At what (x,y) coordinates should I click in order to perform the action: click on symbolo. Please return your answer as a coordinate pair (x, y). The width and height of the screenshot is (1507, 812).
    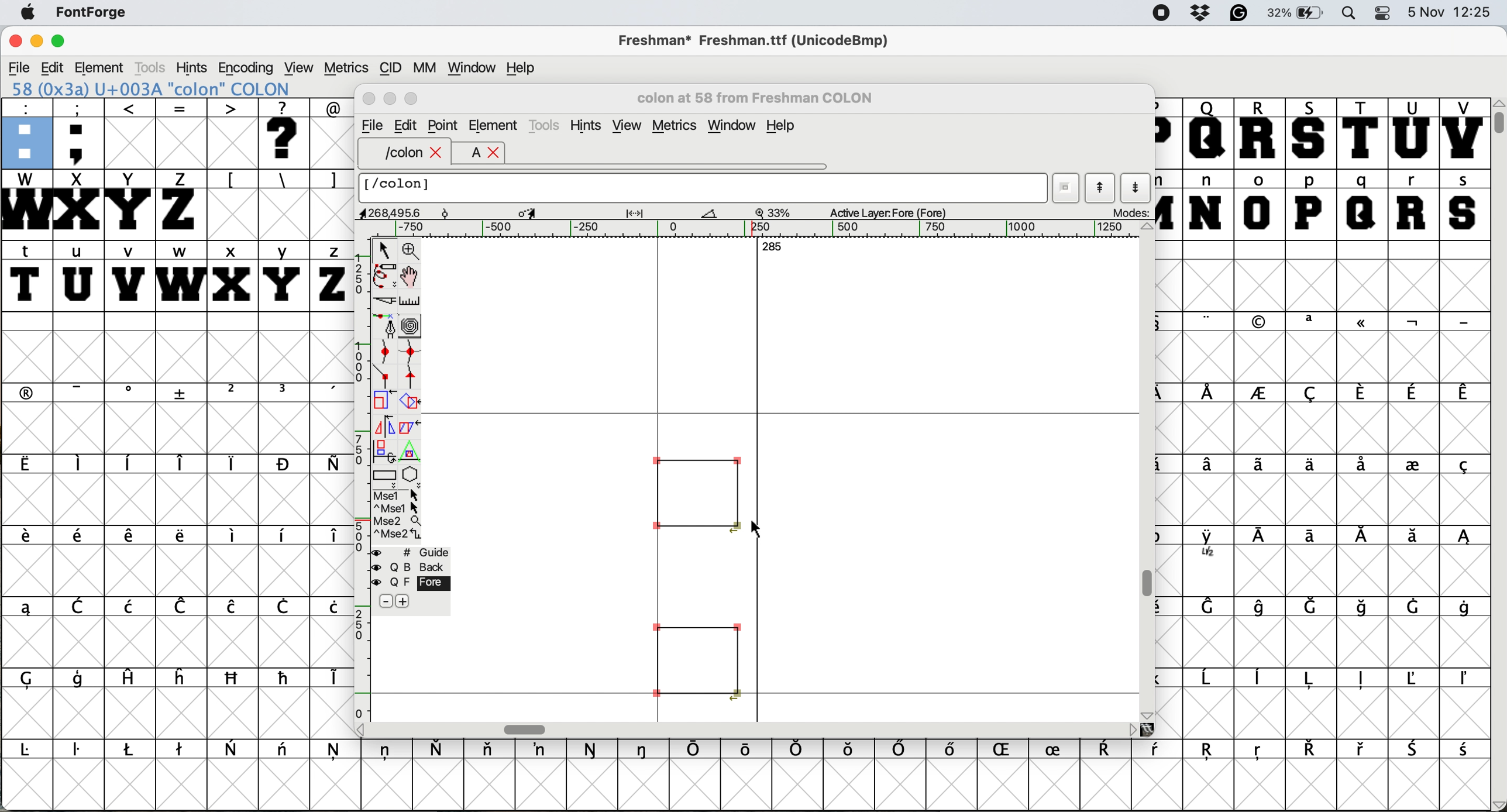
    Looking at the image, I should click on (234, 536).